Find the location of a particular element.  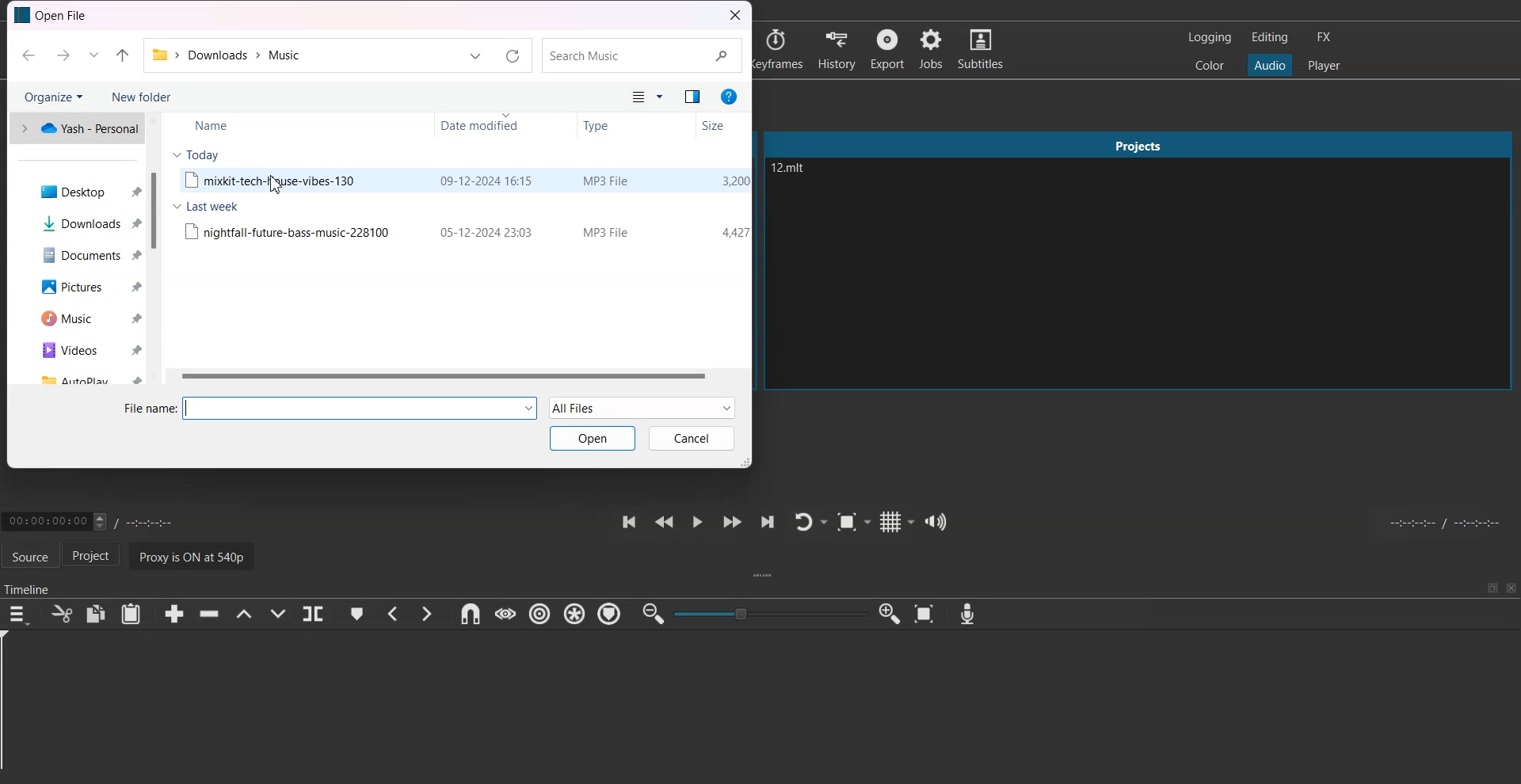

Switch to the Editing layout is located at coordinates (1270, 36).